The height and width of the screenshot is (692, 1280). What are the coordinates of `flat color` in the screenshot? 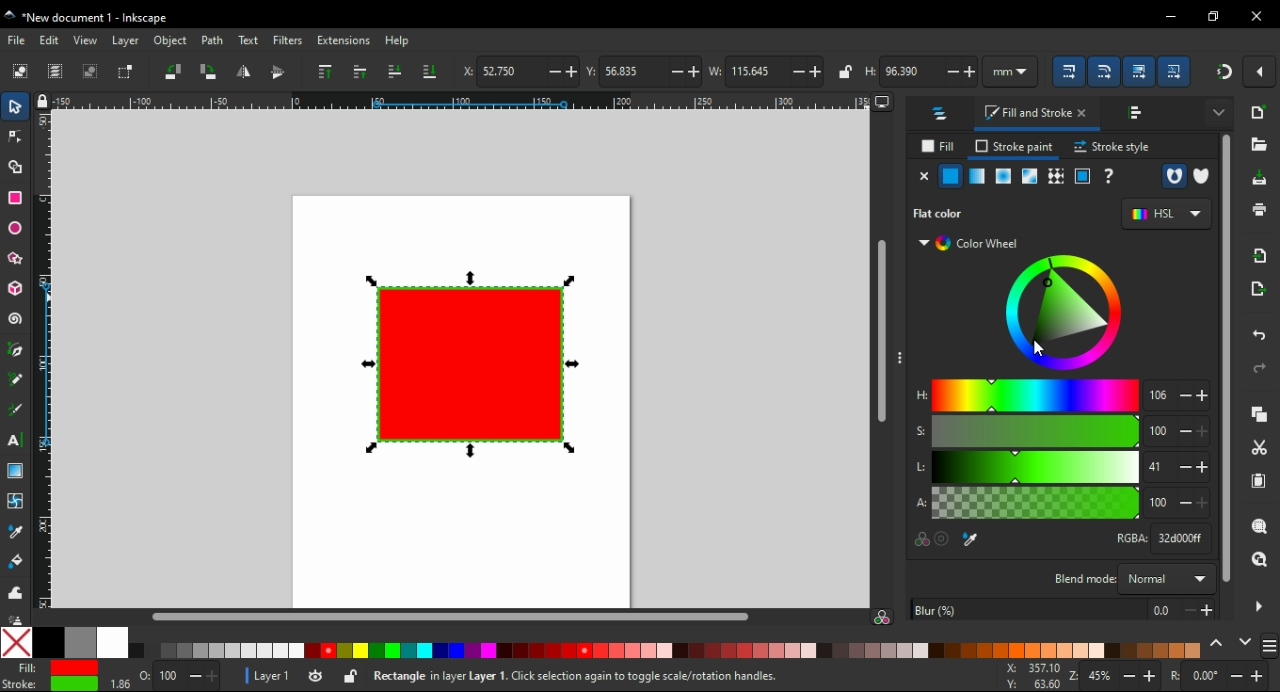 It's located at (951, 176).